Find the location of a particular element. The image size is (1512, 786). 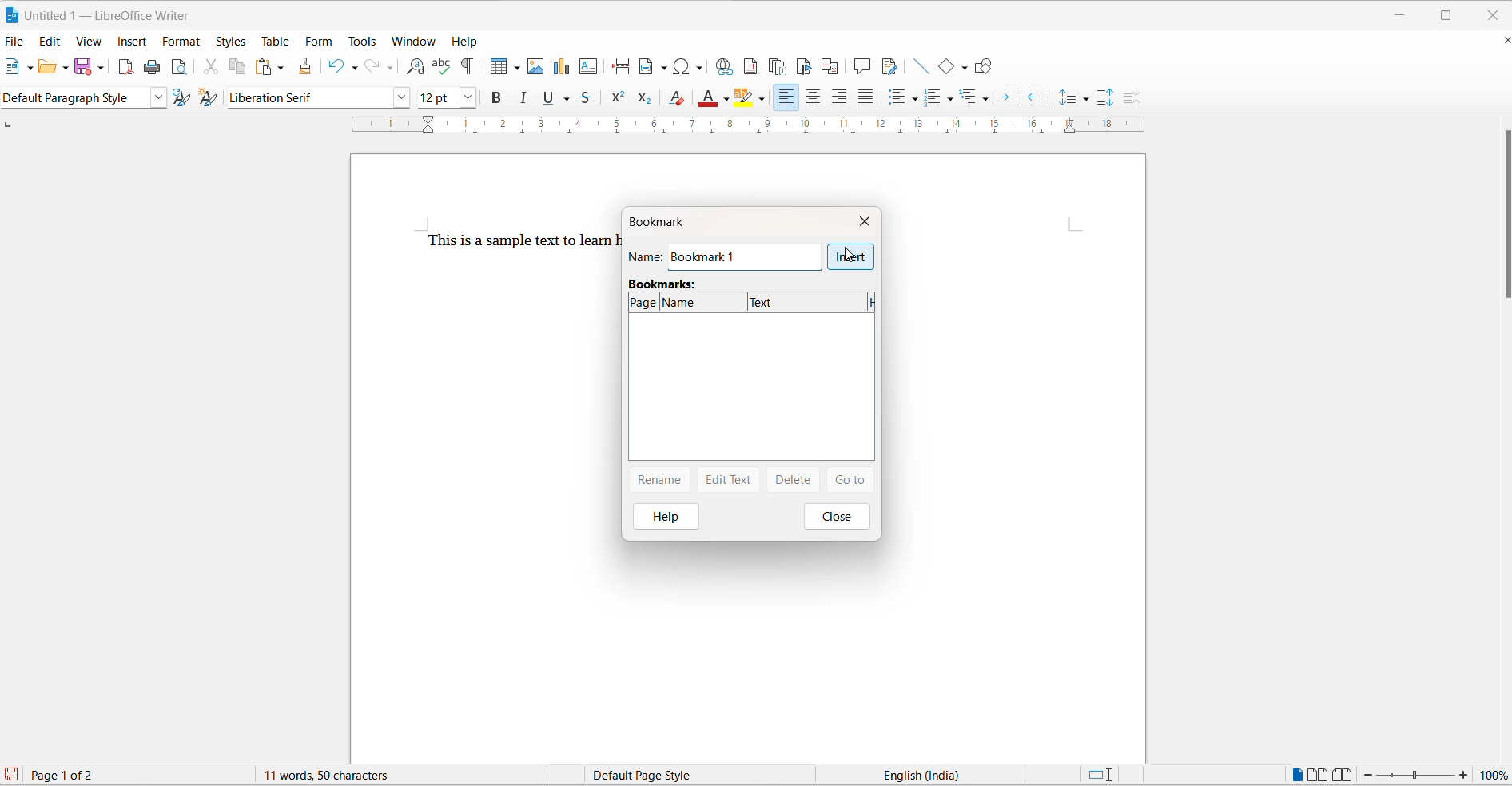

name is located at coordinates (703, 304).